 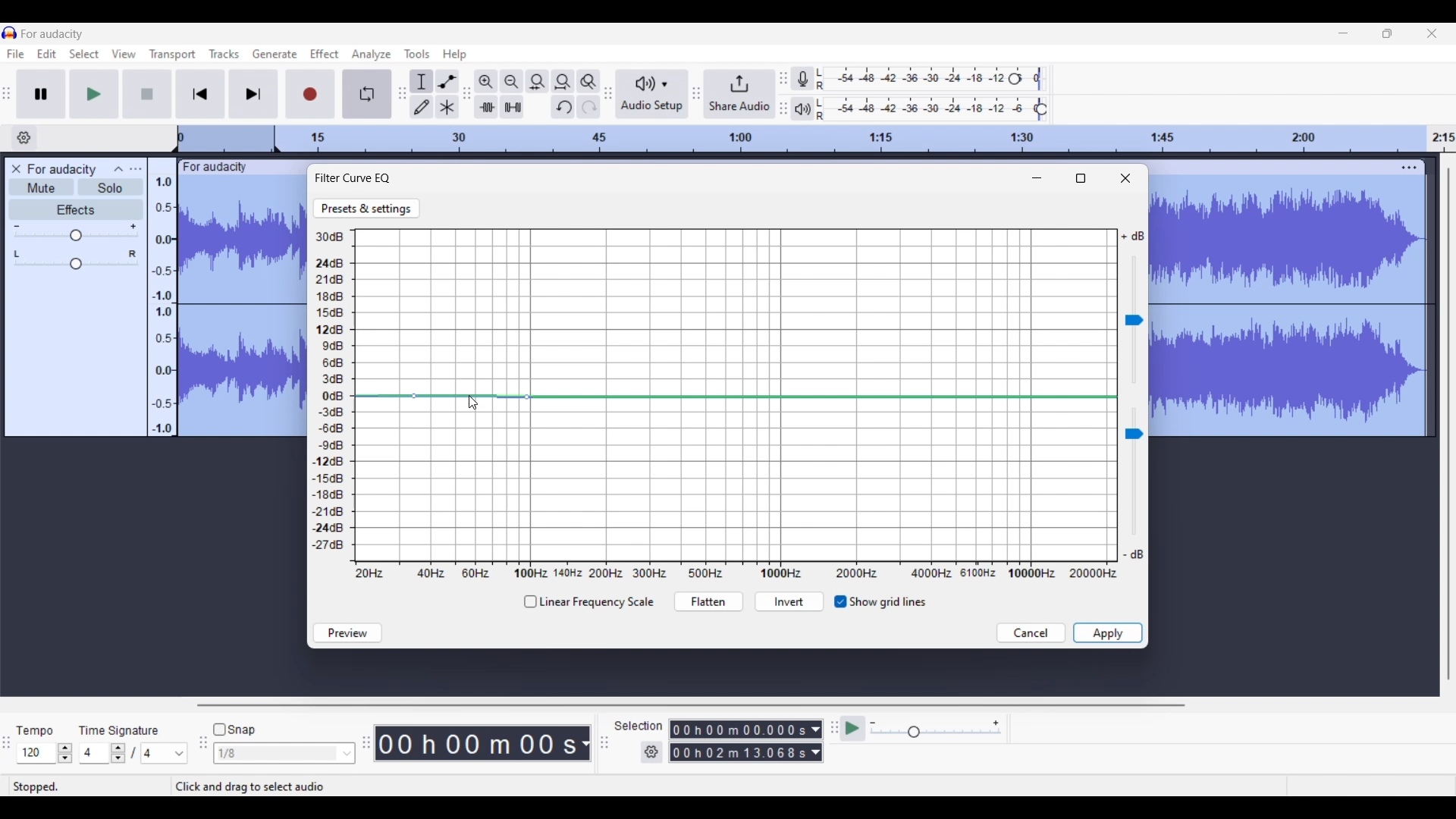 I want to click on Open menu, so click(x=135, y=168).